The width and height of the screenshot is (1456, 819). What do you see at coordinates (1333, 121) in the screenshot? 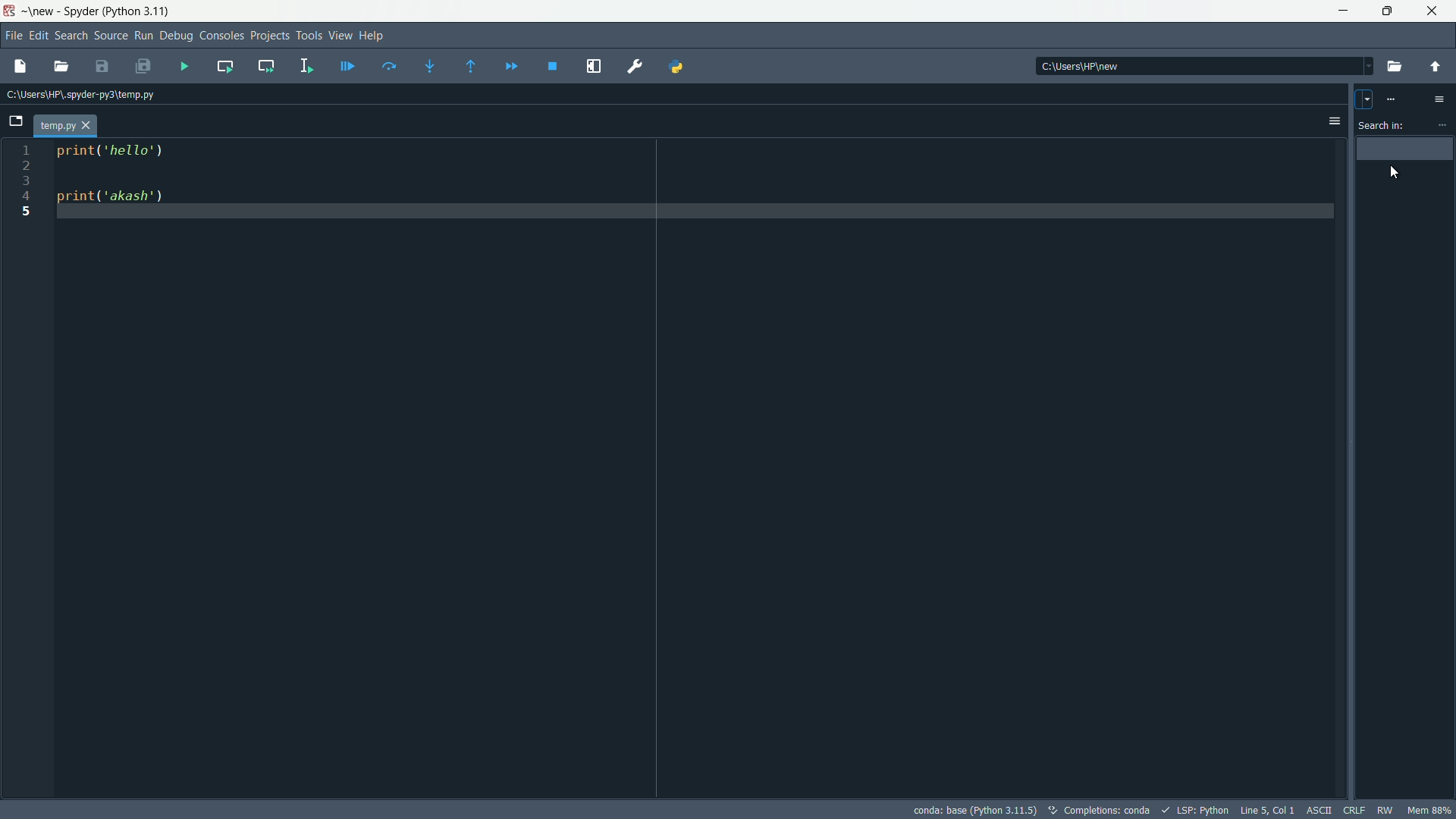
I see `options` at bounding box center [1333, 121].